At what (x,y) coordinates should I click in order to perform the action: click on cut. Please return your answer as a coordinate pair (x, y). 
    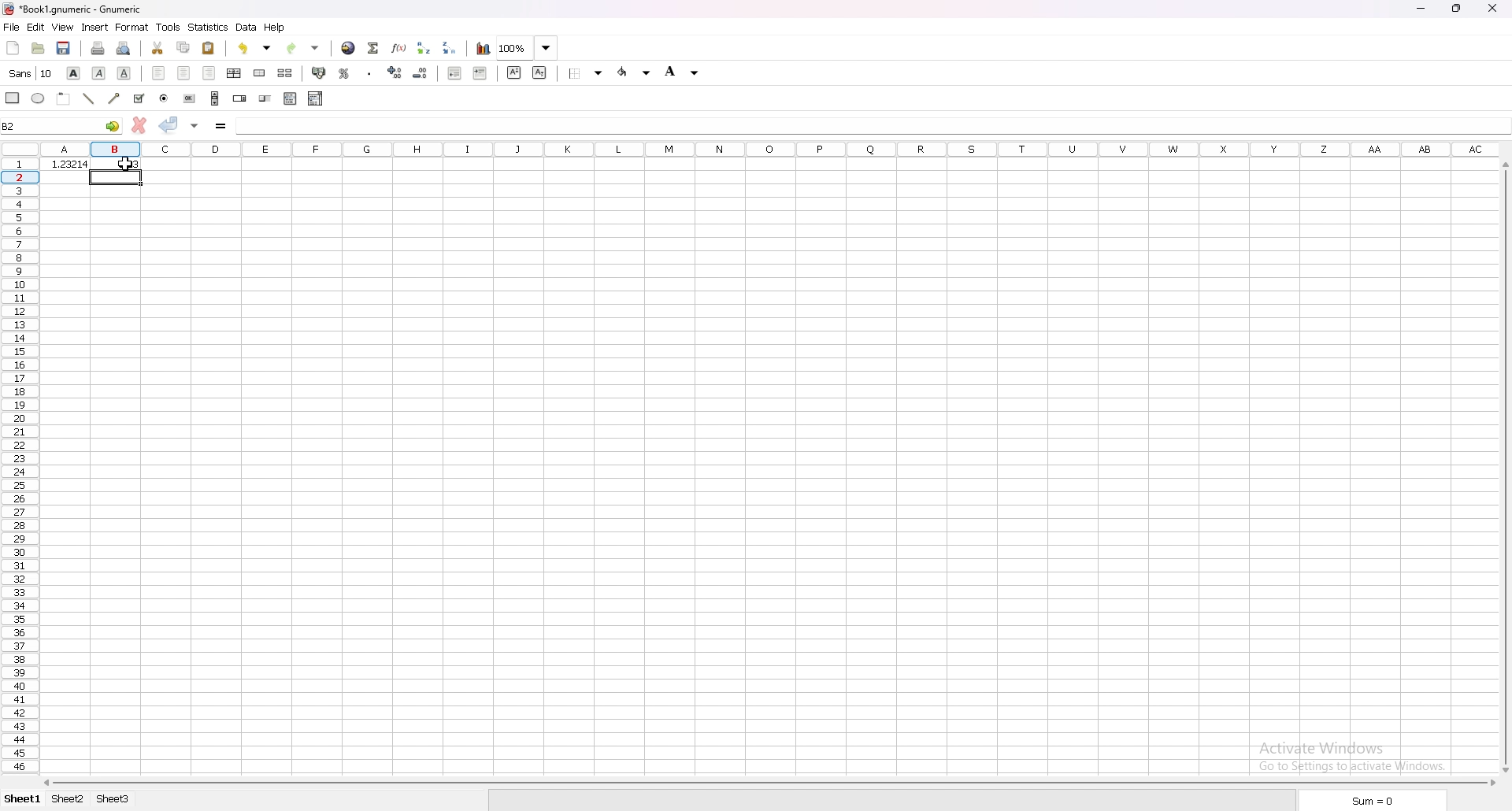
    Looking at the image, I should click on (157, 47).